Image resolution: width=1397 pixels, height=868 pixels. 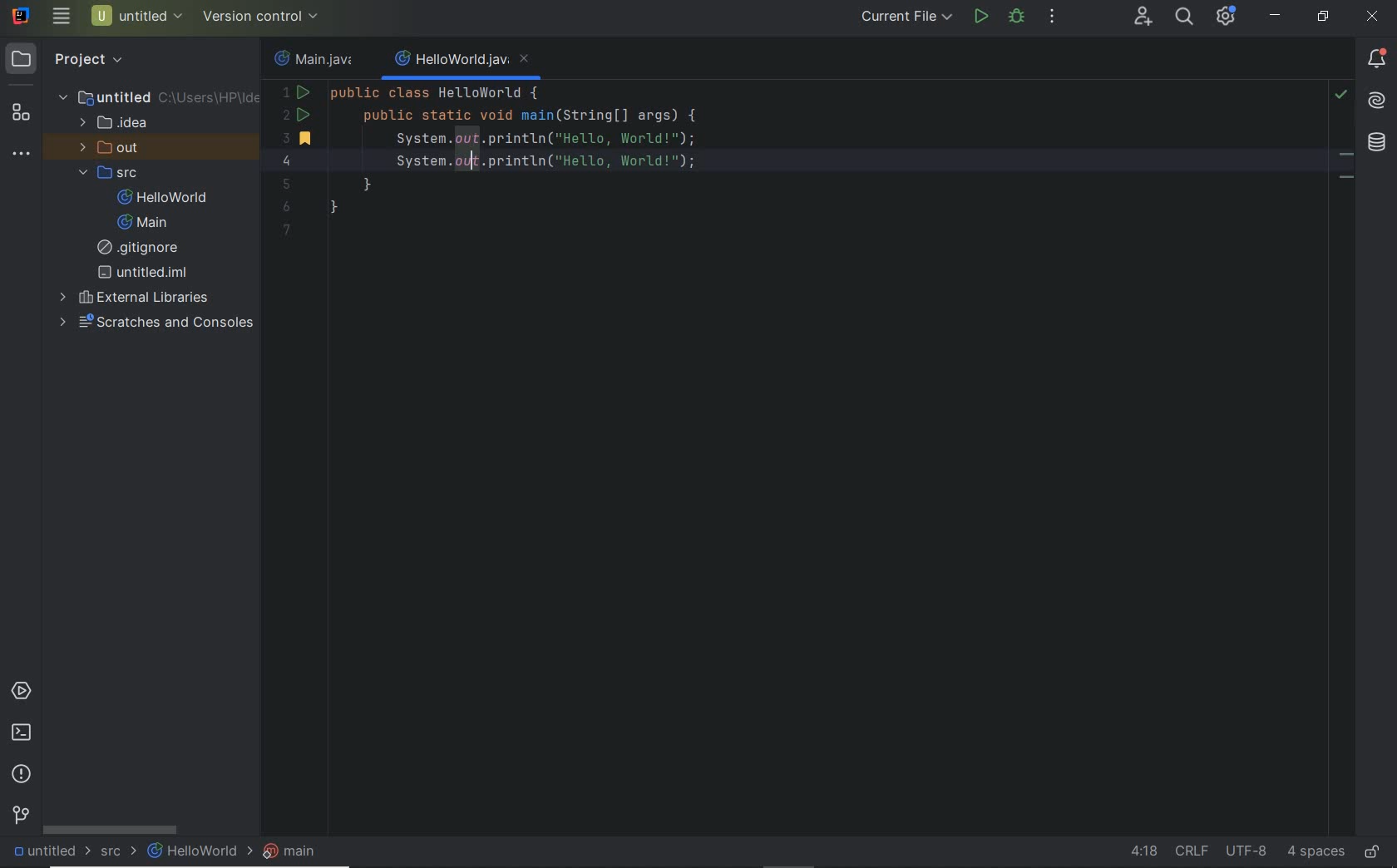 What do you see at coordinates (144, 248) in the screenshot?
I see `.gitignore` at bounding box center [144, 248].